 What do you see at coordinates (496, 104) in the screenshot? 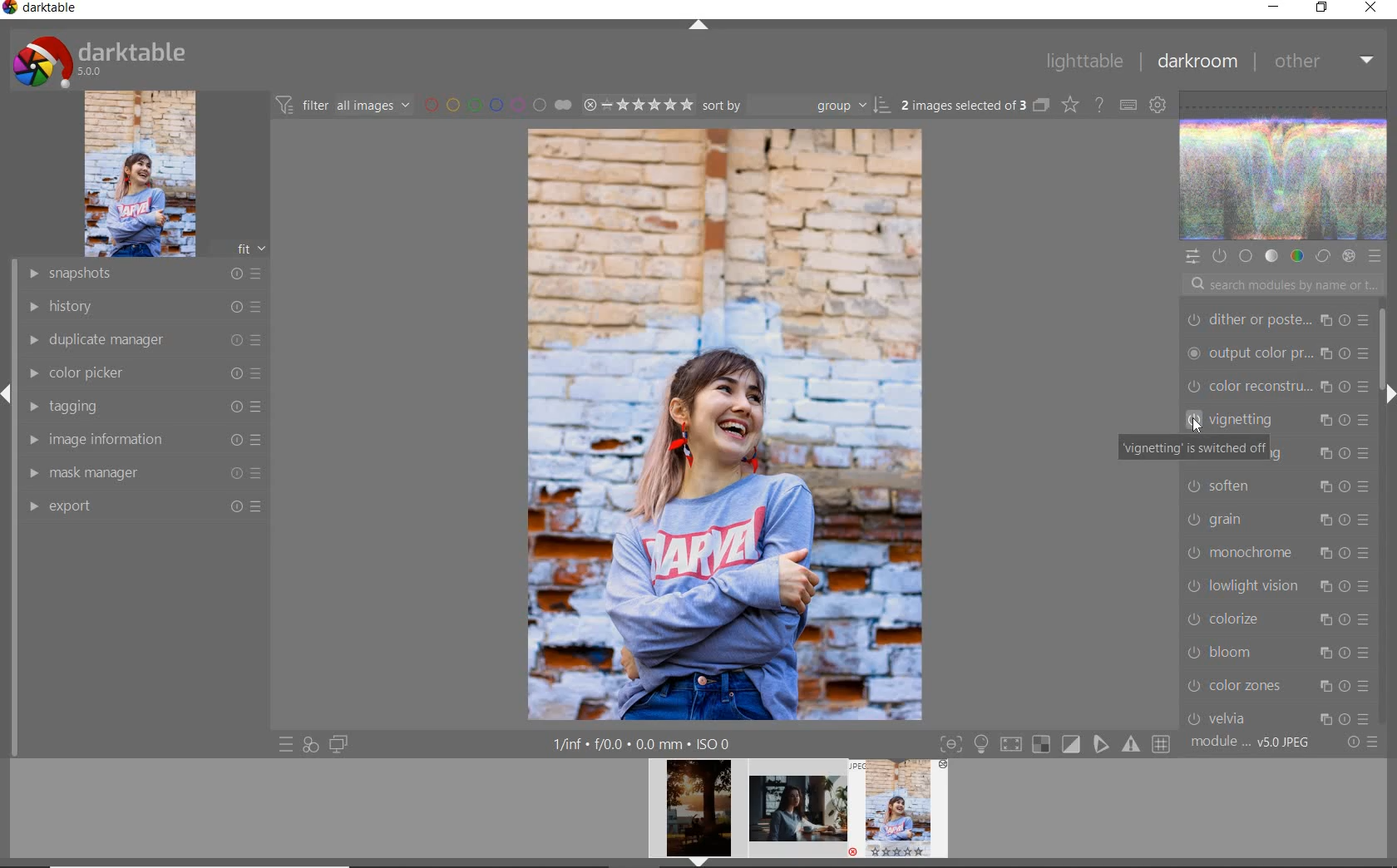
I see `filter by image color label` at bounding box center [496, 104].